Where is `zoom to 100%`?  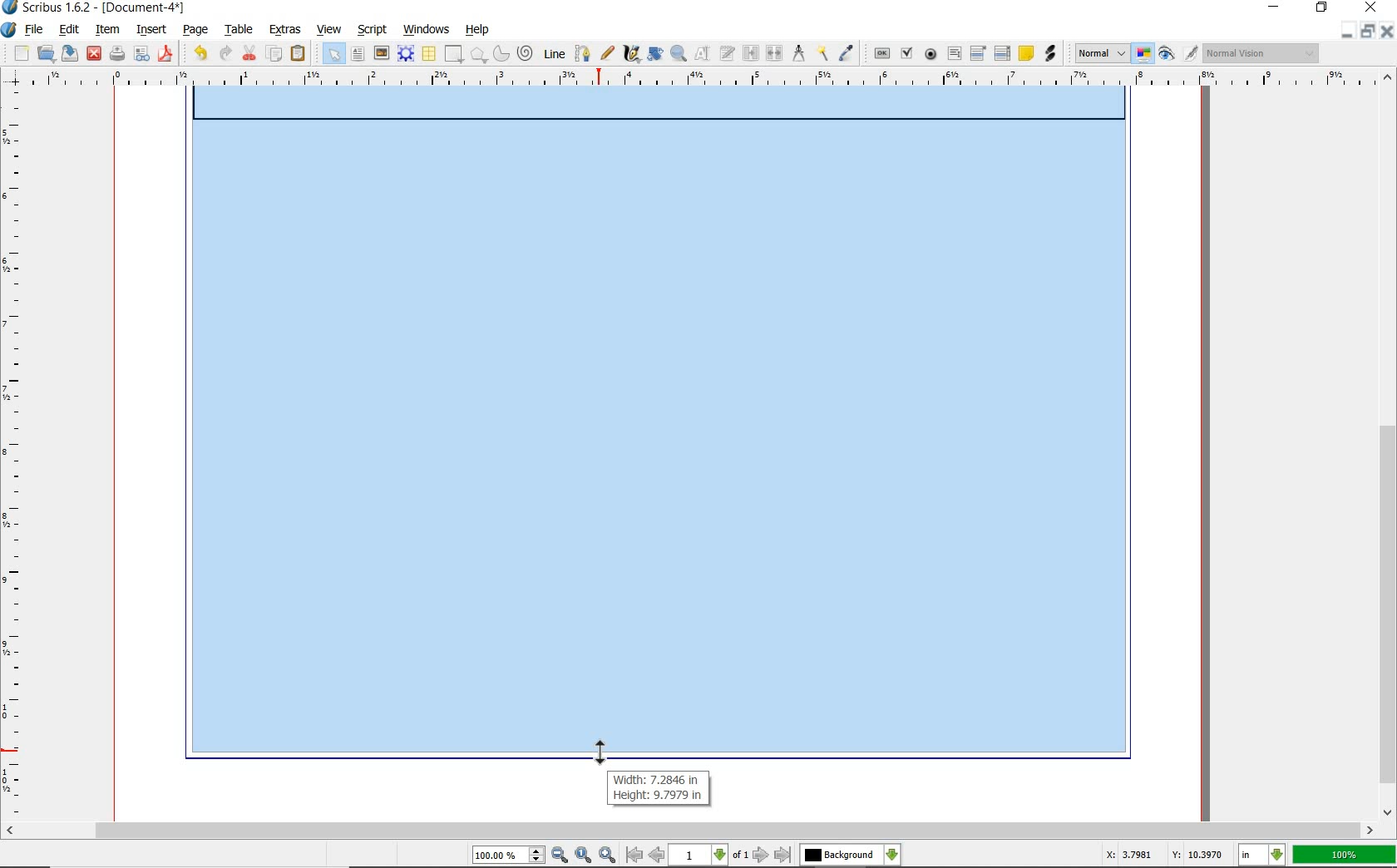 zoom to 100% is located at coordinates (585, 855).